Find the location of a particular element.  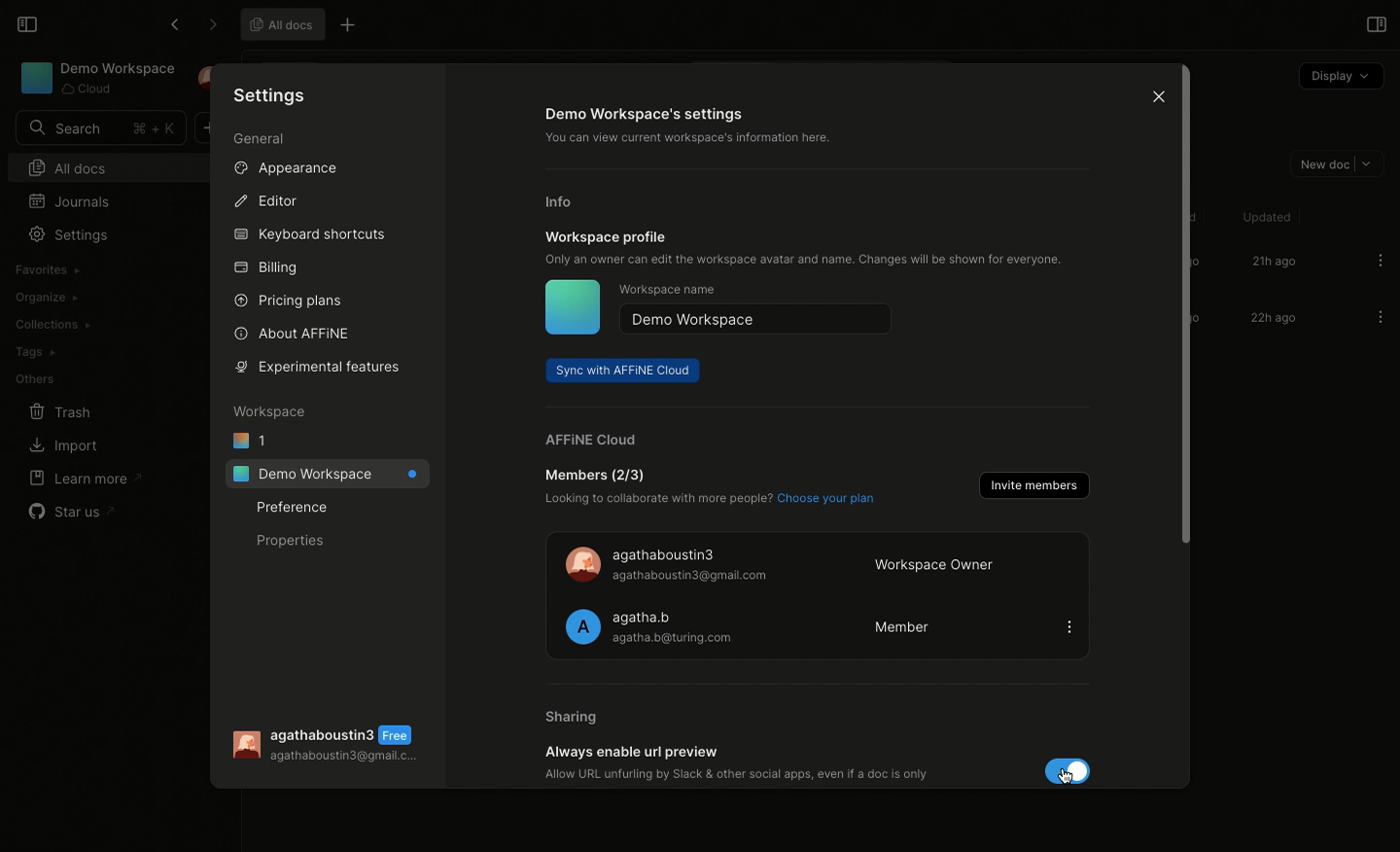

User is located at coordinates (332, 746).